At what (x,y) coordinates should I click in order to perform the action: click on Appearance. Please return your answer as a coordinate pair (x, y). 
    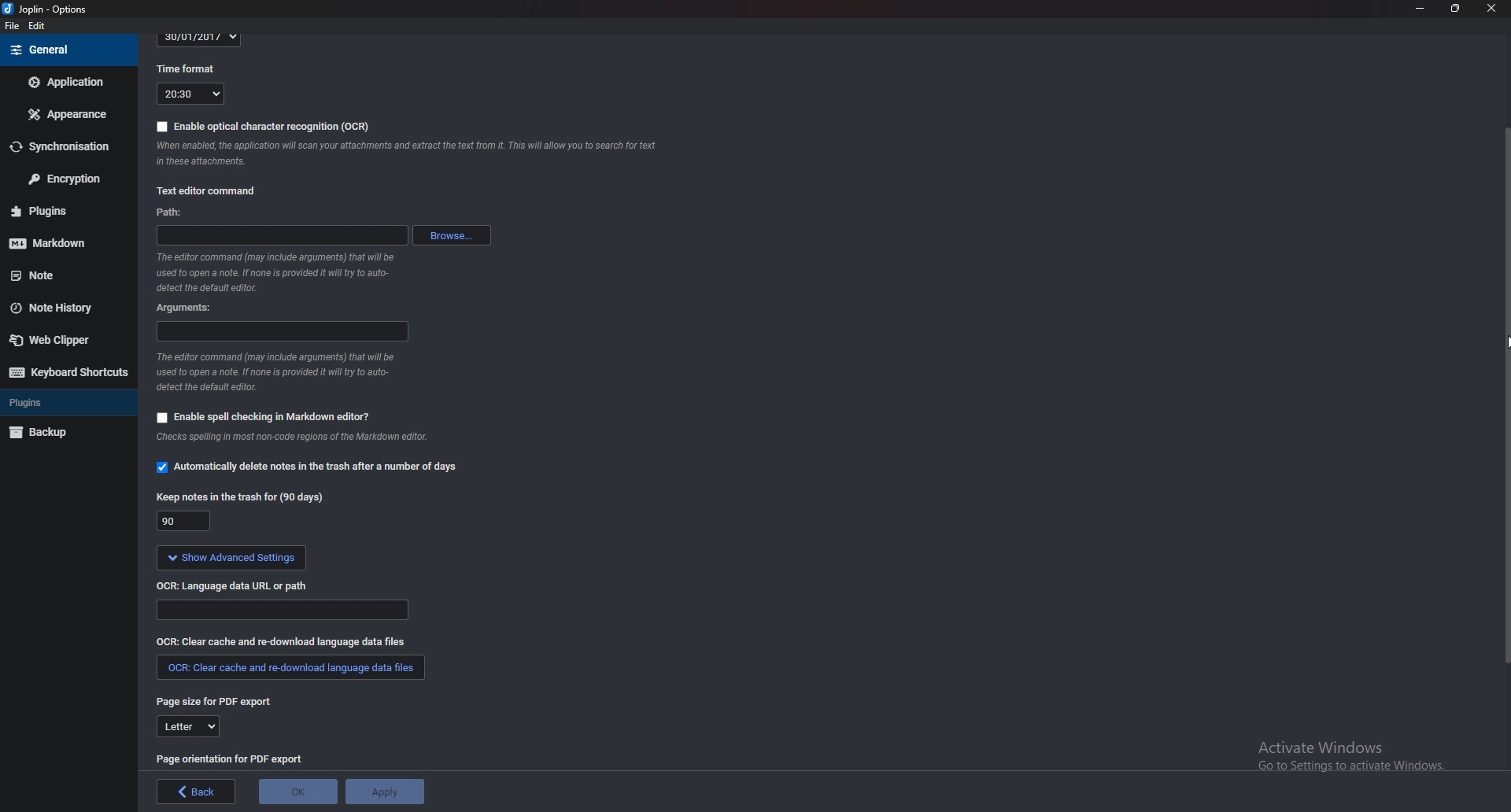
    Looking at the image, I should click on (65, 115).